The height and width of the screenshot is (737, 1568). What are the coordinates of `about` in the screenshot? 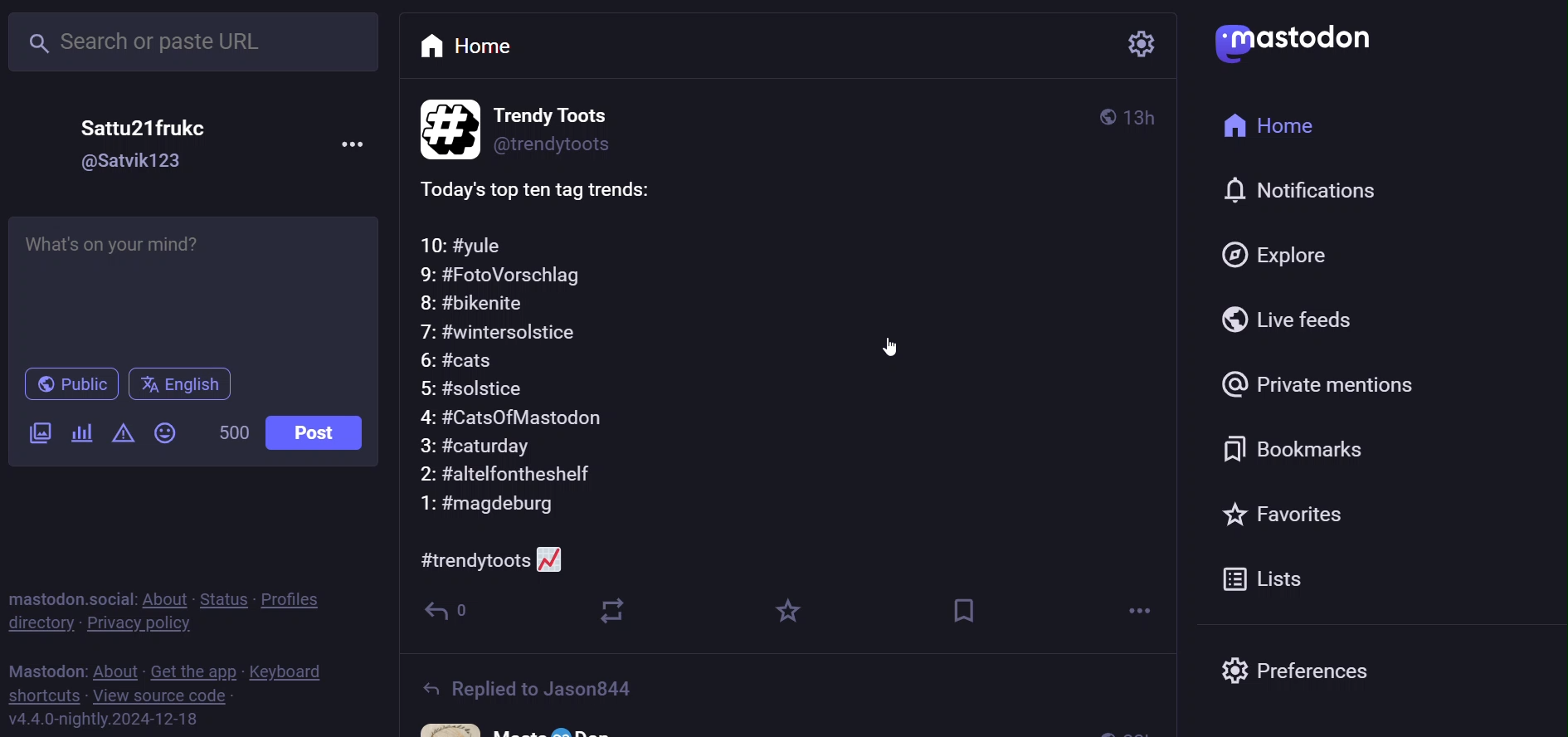 It's located at (115, 667).